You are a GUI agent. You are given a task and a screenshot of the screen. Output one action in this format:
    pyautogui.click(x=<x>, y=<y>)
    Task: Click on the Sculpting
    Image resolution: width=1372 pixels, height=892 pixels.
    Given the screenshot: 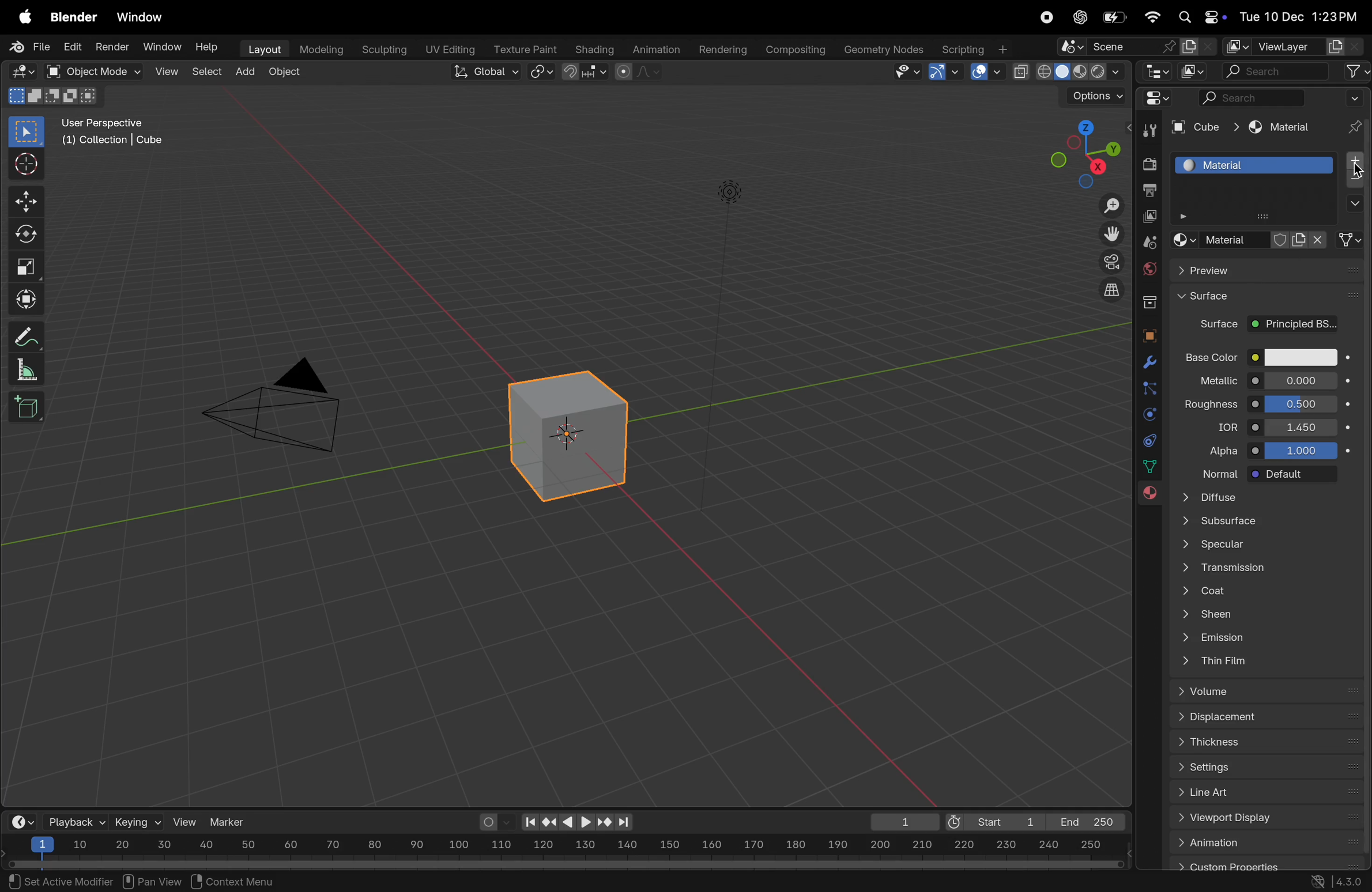 What is the action you would take?
    pyautogui.click(x=379, y=47)
    